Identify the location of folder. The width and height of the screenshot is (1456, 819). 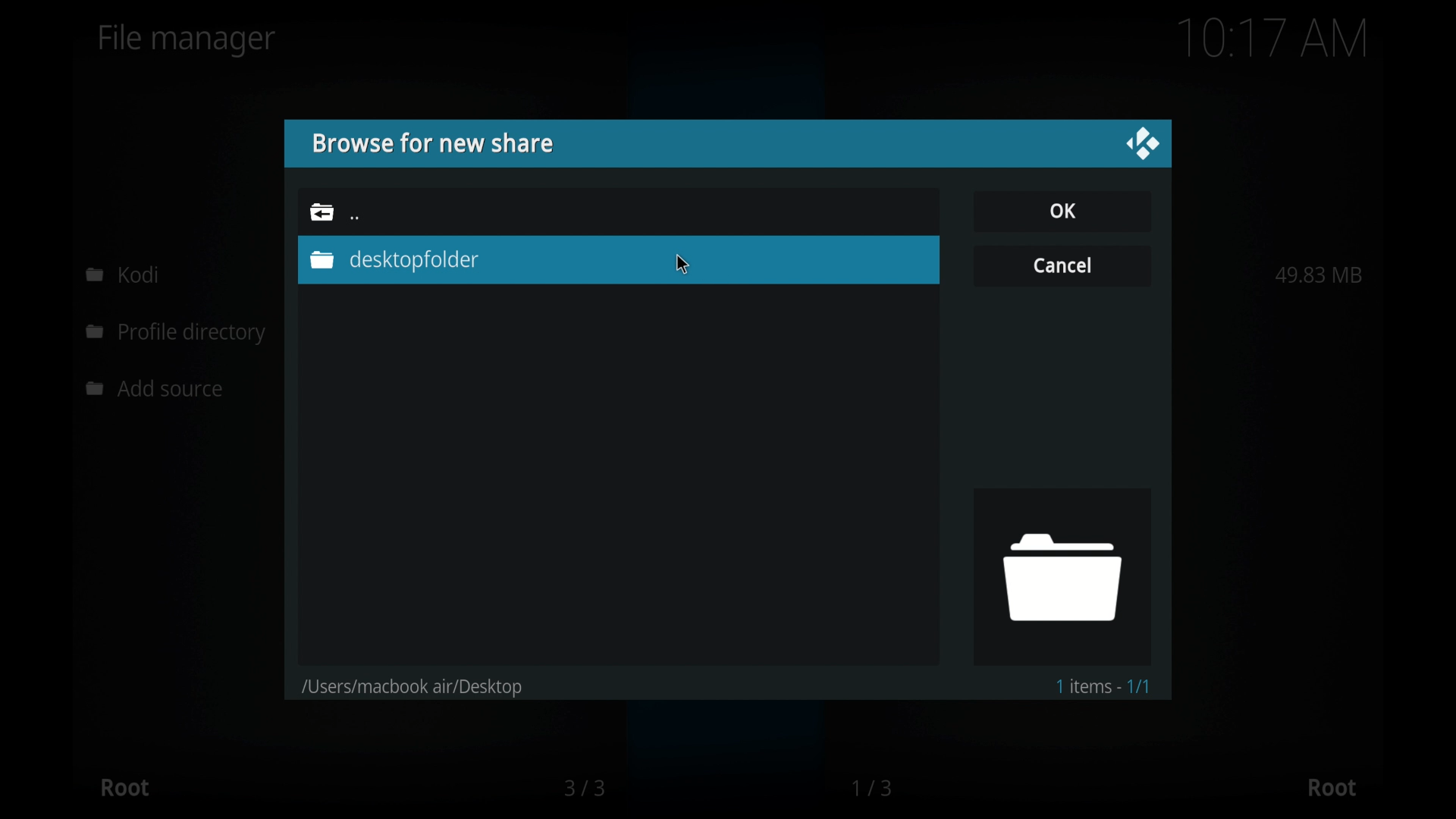
(322, 212).